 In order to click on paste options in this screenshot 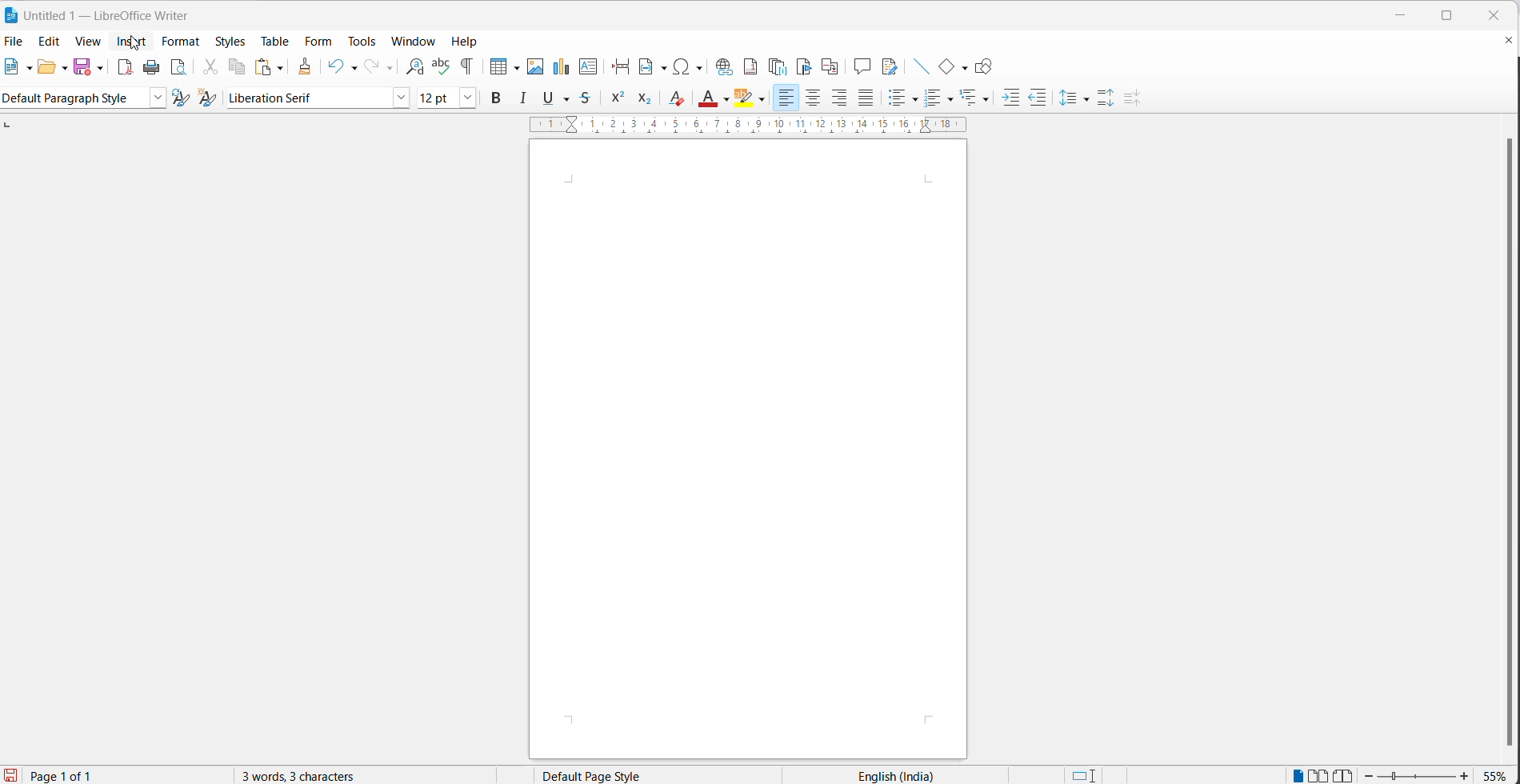, I will do `click(262, 66)`.